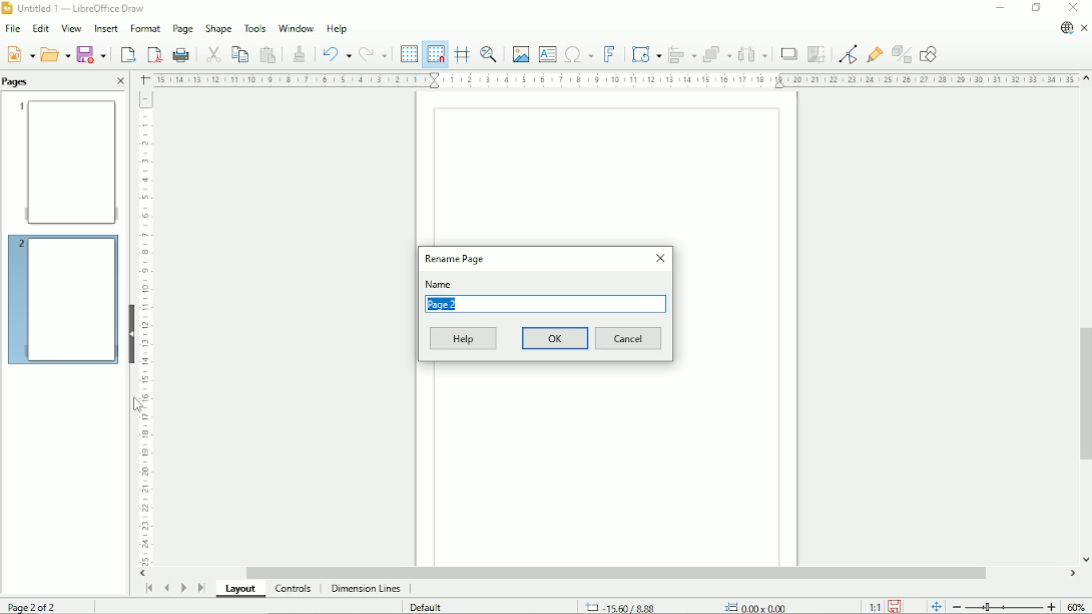 This screenshot has height=614, width=1092. What do you see at coordinates (935, 605) in the screenshot?
I see `Fit page to current window` at bounding box center [935, 605].